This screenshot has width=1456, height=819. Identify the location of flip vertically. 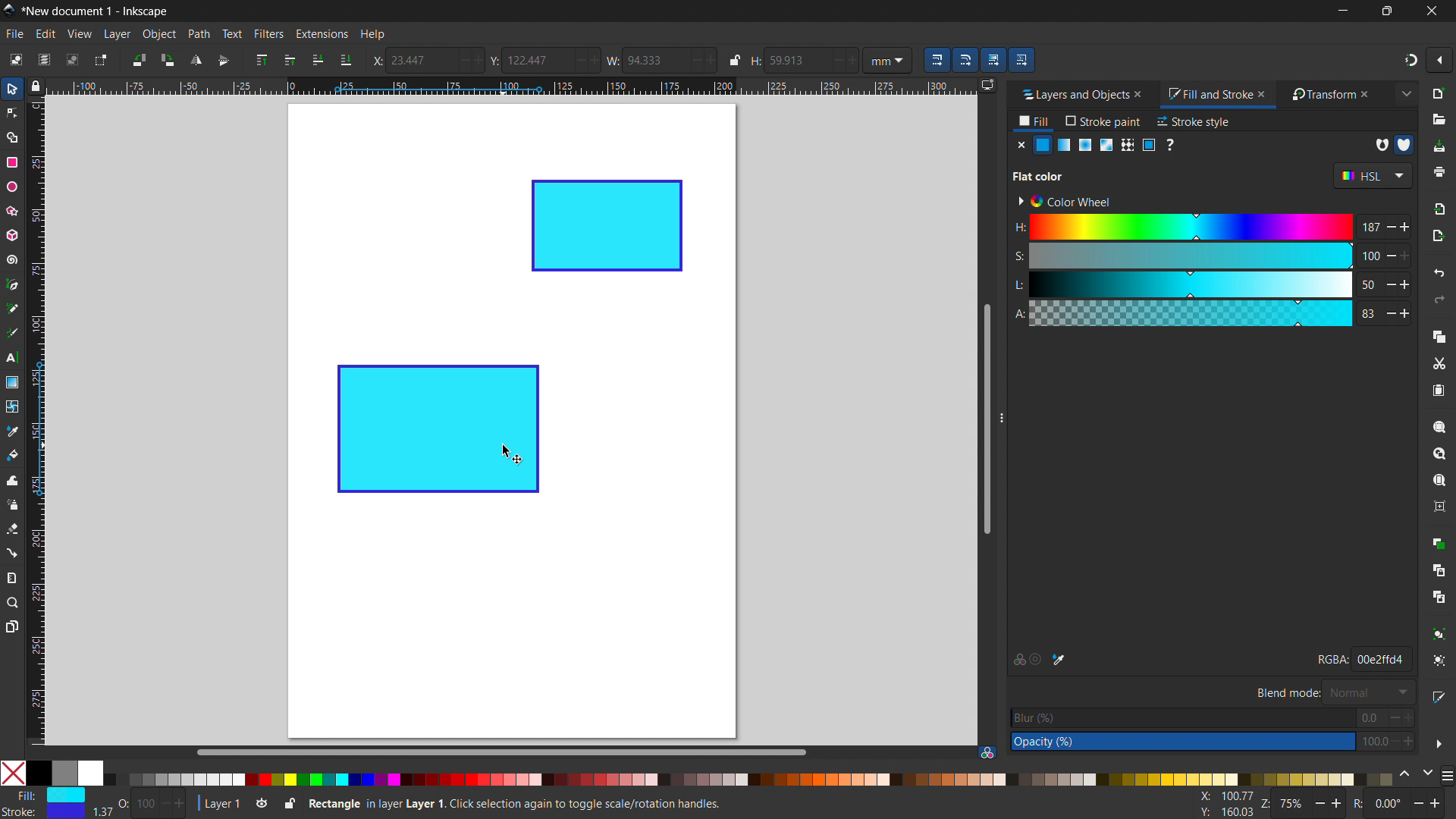
(224, 61).